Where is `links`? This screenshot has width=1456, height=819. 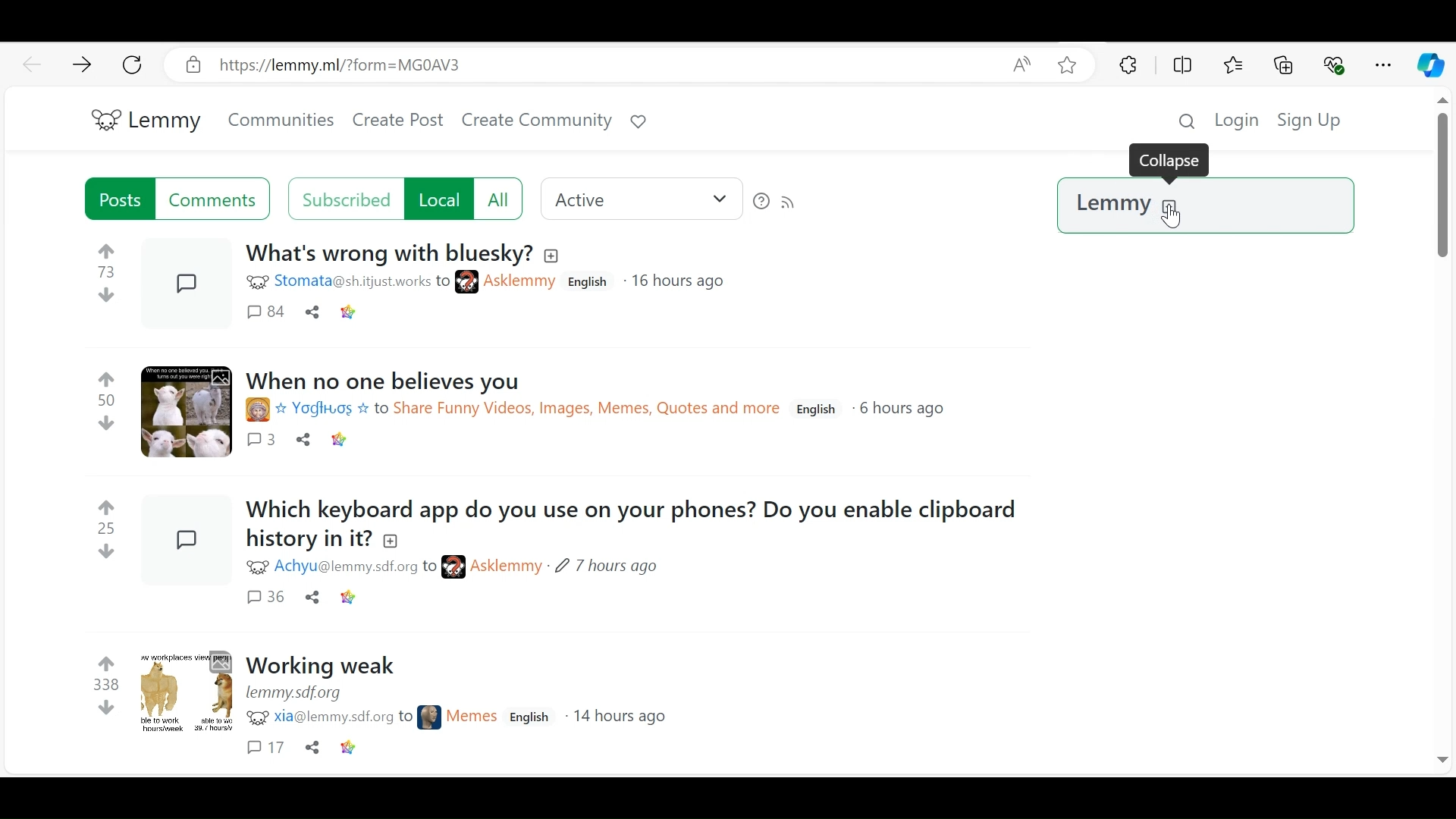 links is located at coordinates (526, 411).